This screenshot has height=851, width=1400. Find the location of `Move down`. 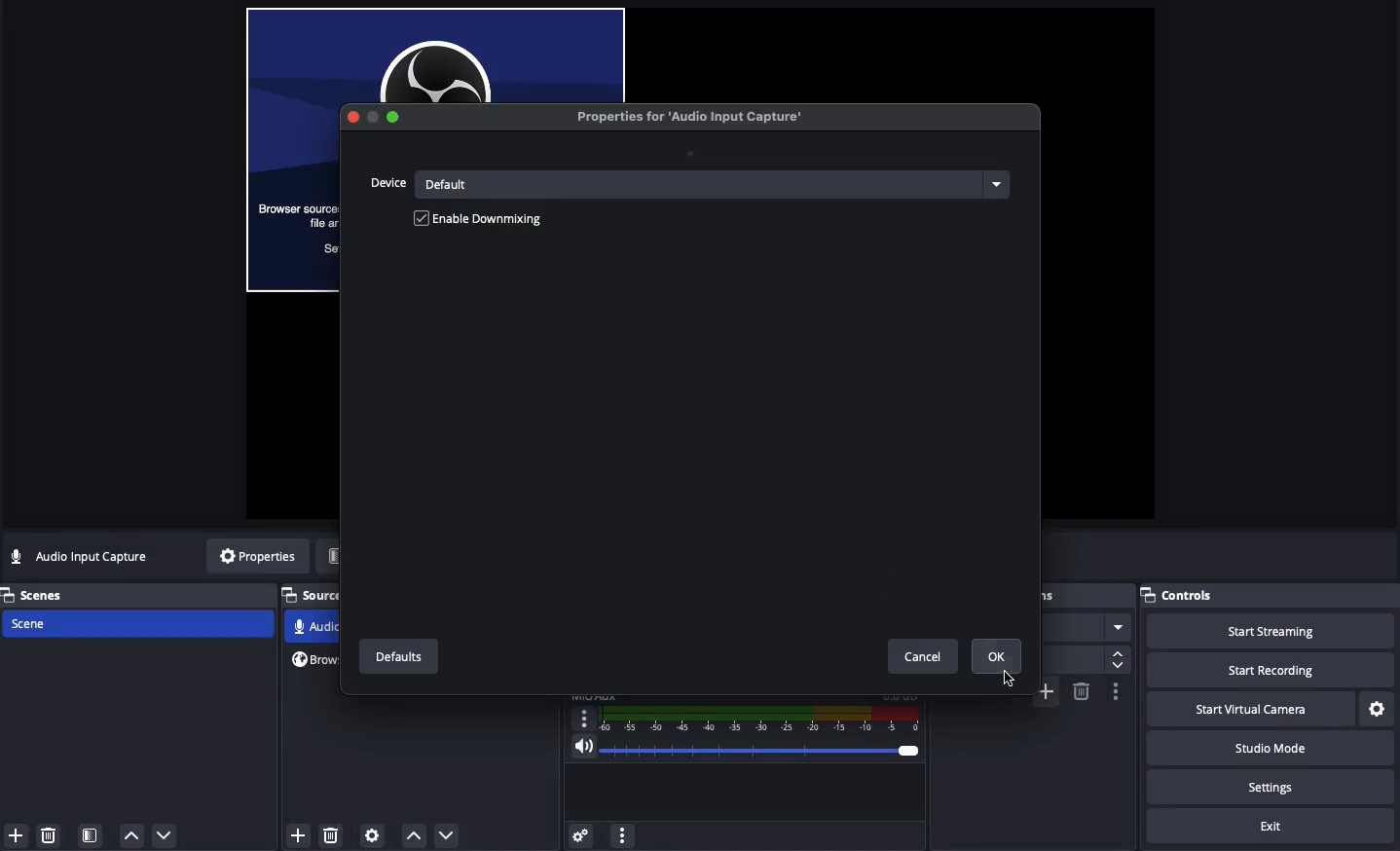

Move down is located at coordinates (446, 834).